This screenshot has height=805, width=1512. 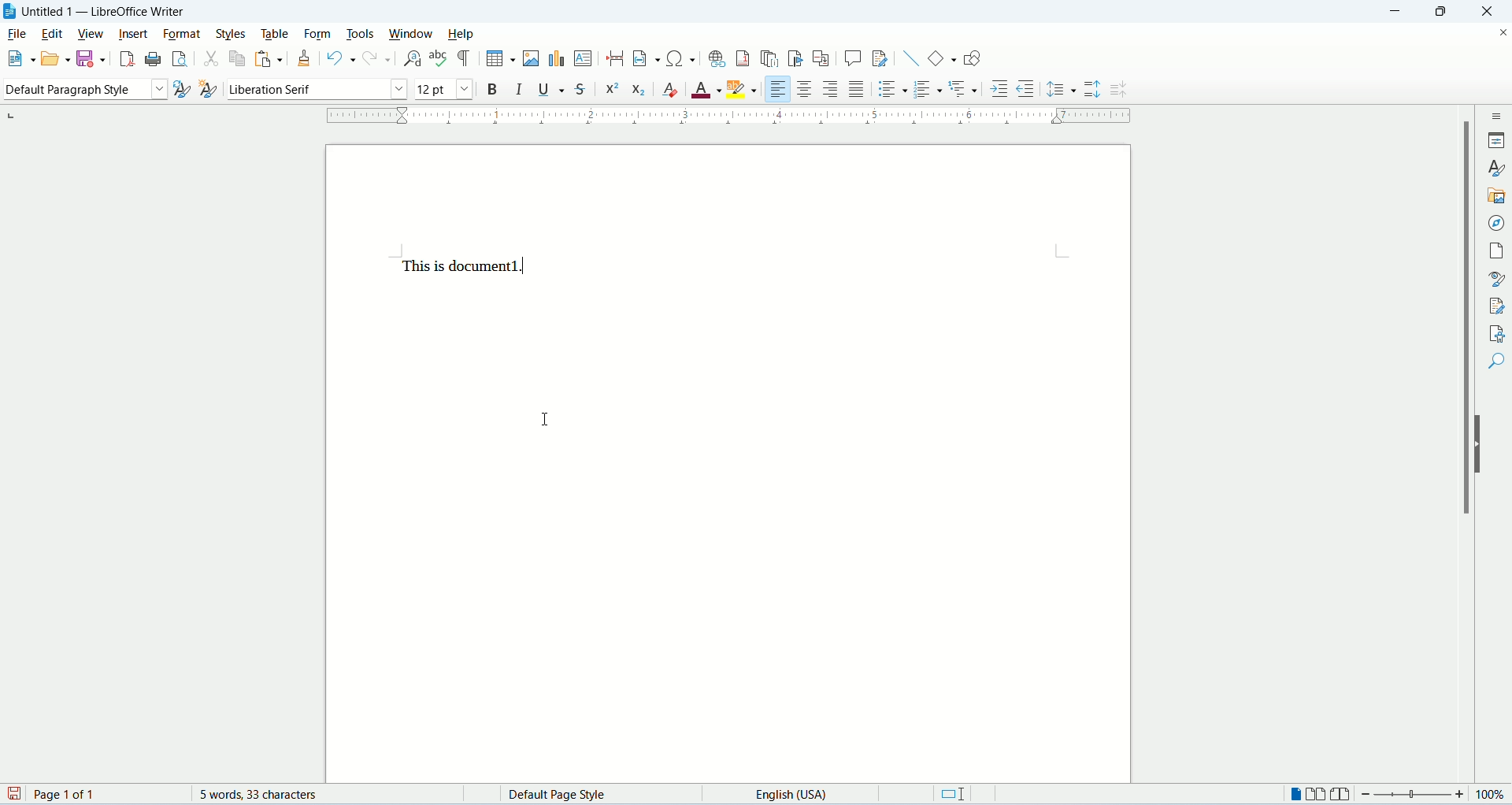 I want to click on basic shapes, so click(x=943, y=57).